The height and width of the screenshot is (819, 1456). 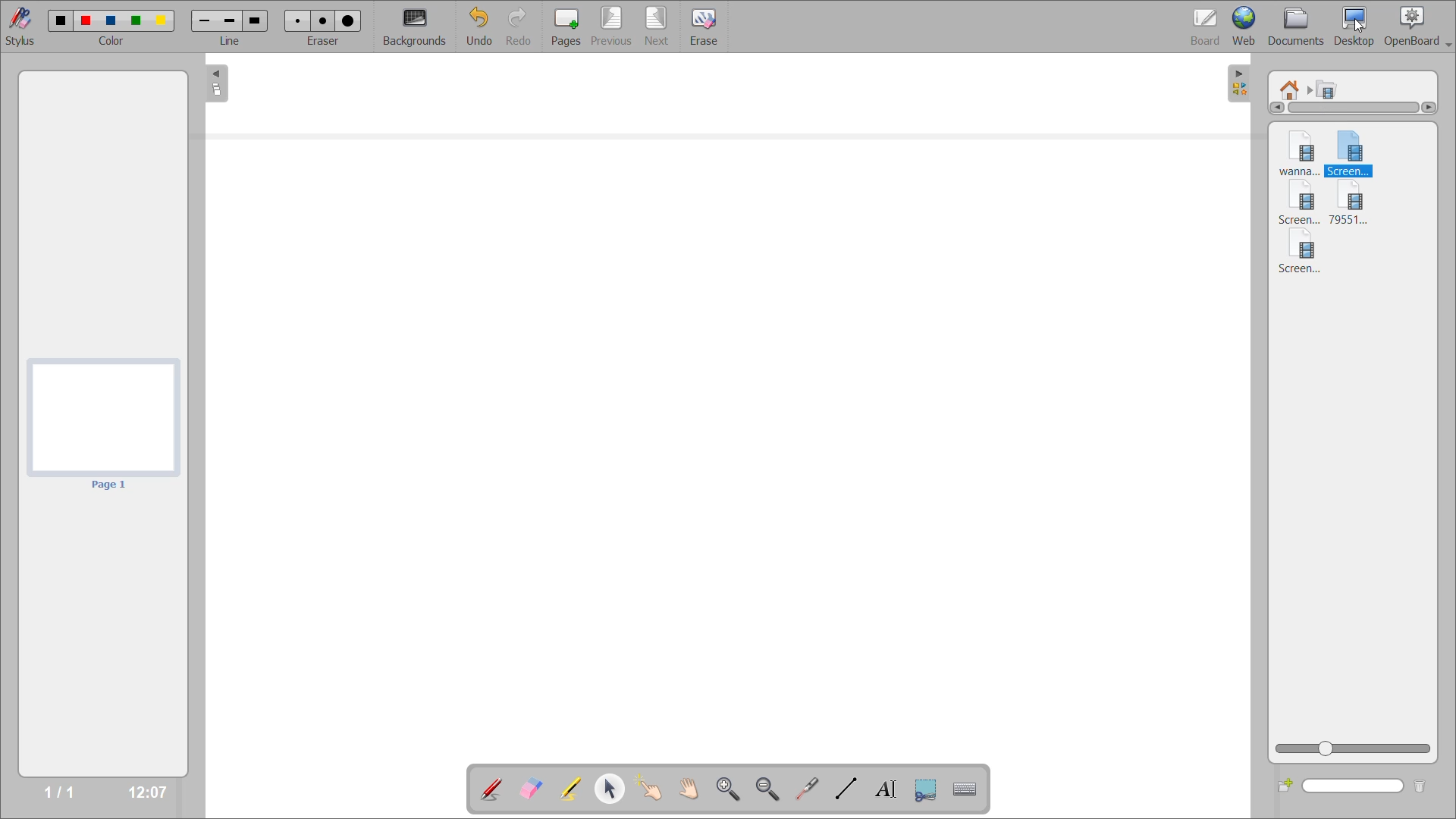 What do you see at coordinates (767, 789) in the screenshot?
I see `zoom out` at bounding box center [767, 789].